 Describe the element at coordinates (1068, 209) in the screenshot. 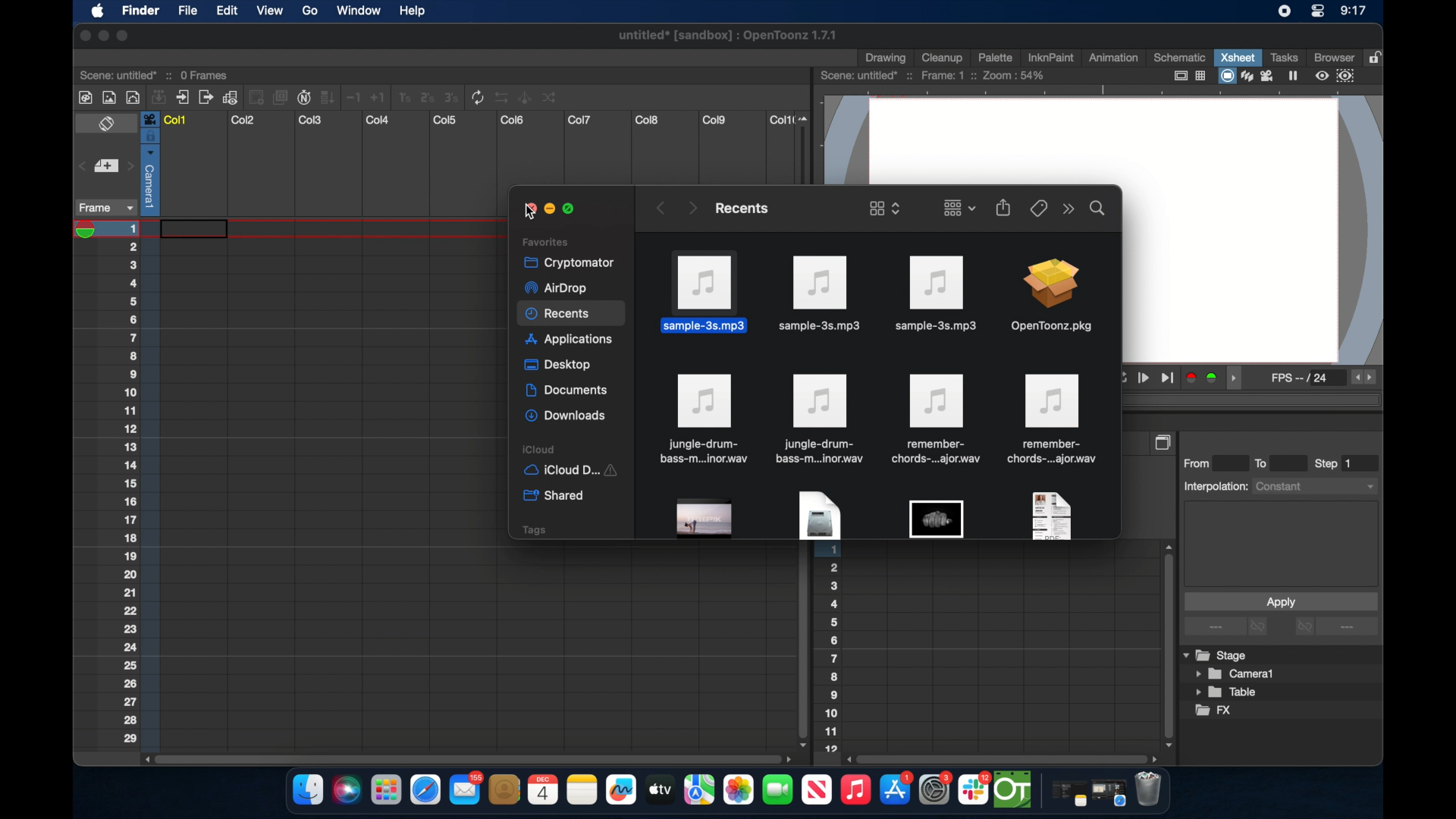

I see `more options` at that location.